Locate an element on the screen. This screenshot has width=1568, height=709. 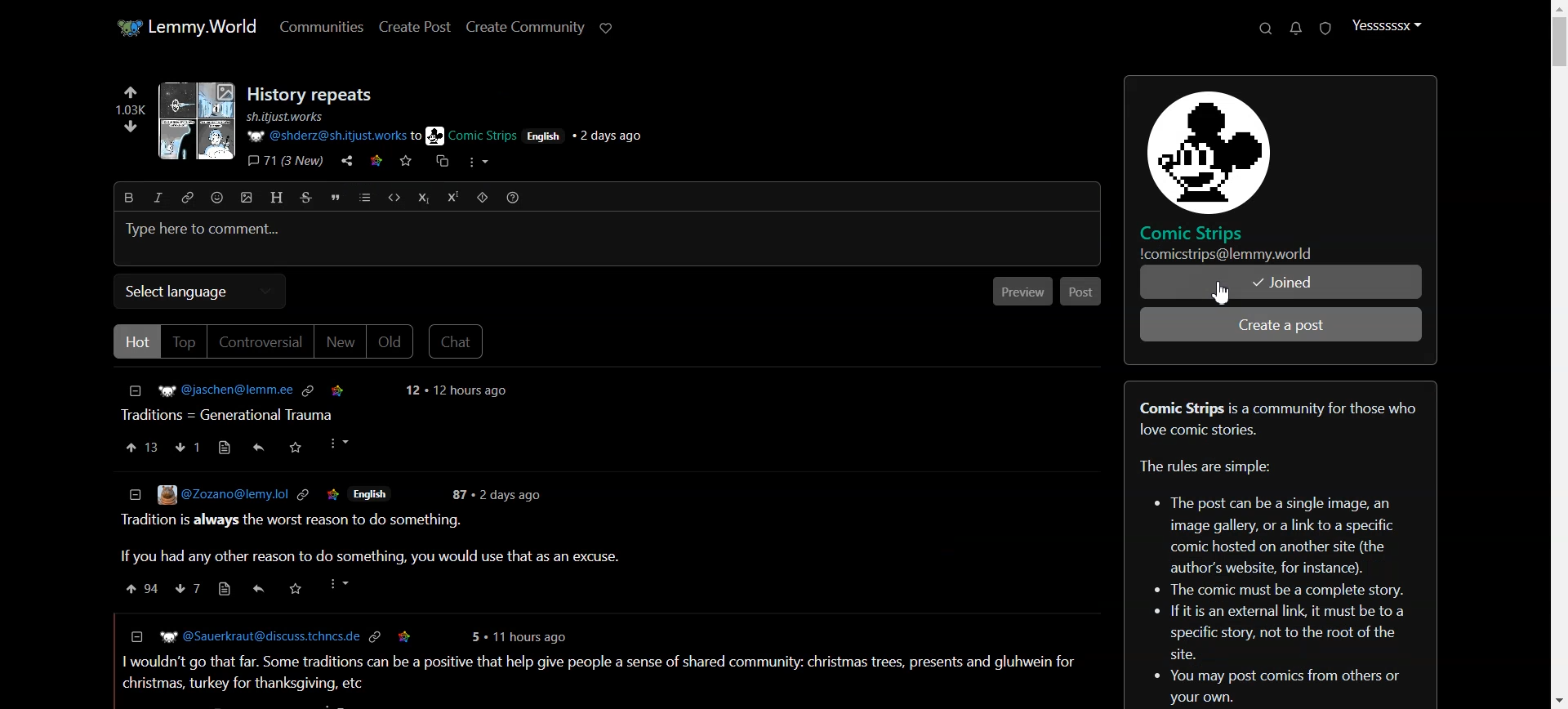
Formatting help is located at coordinates (513, 197).